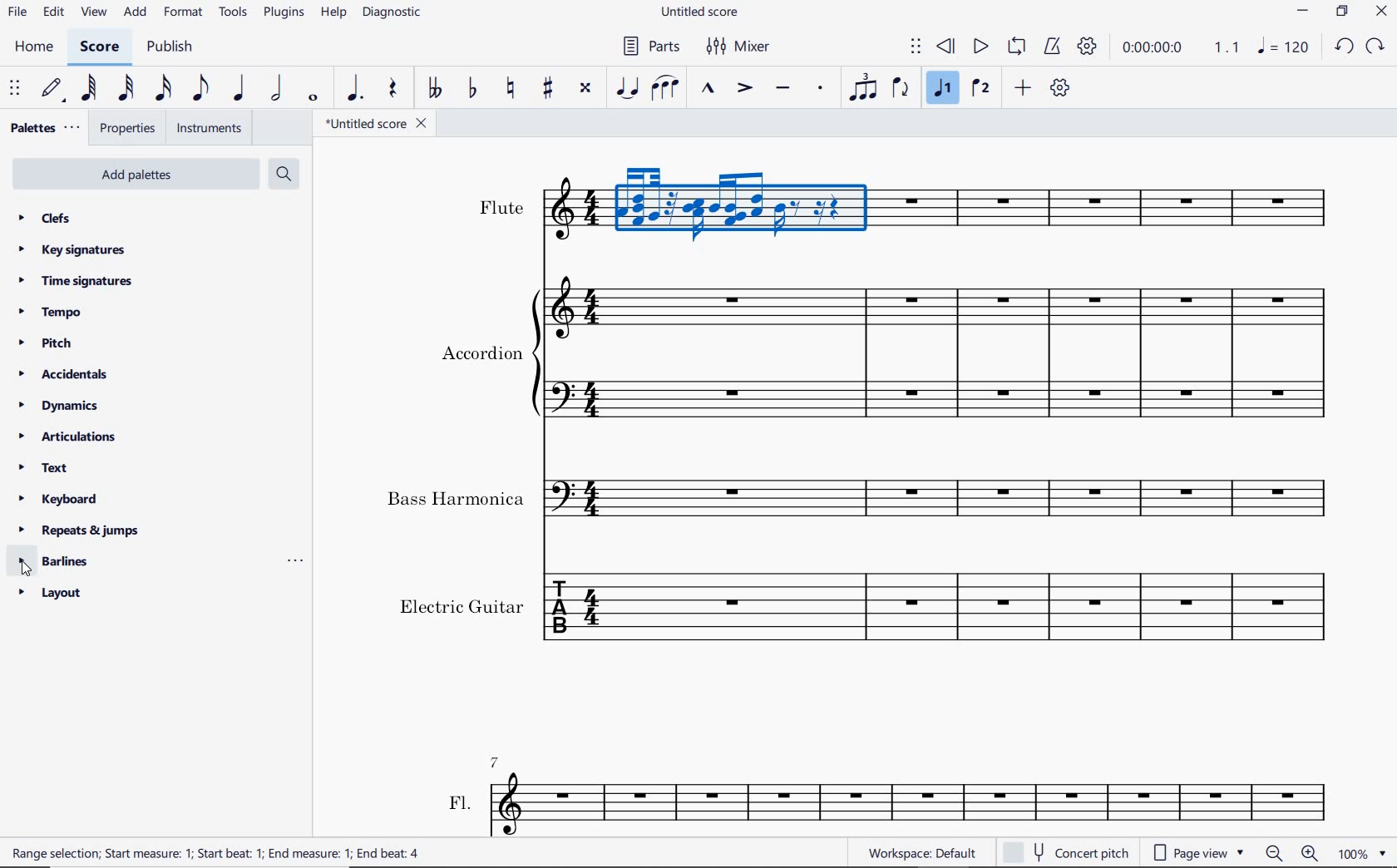 The width and height of the screenshot is (1397, 868). Describe the element at coordinates (283, 14) in the screenshot. I see `plugins` at that location.